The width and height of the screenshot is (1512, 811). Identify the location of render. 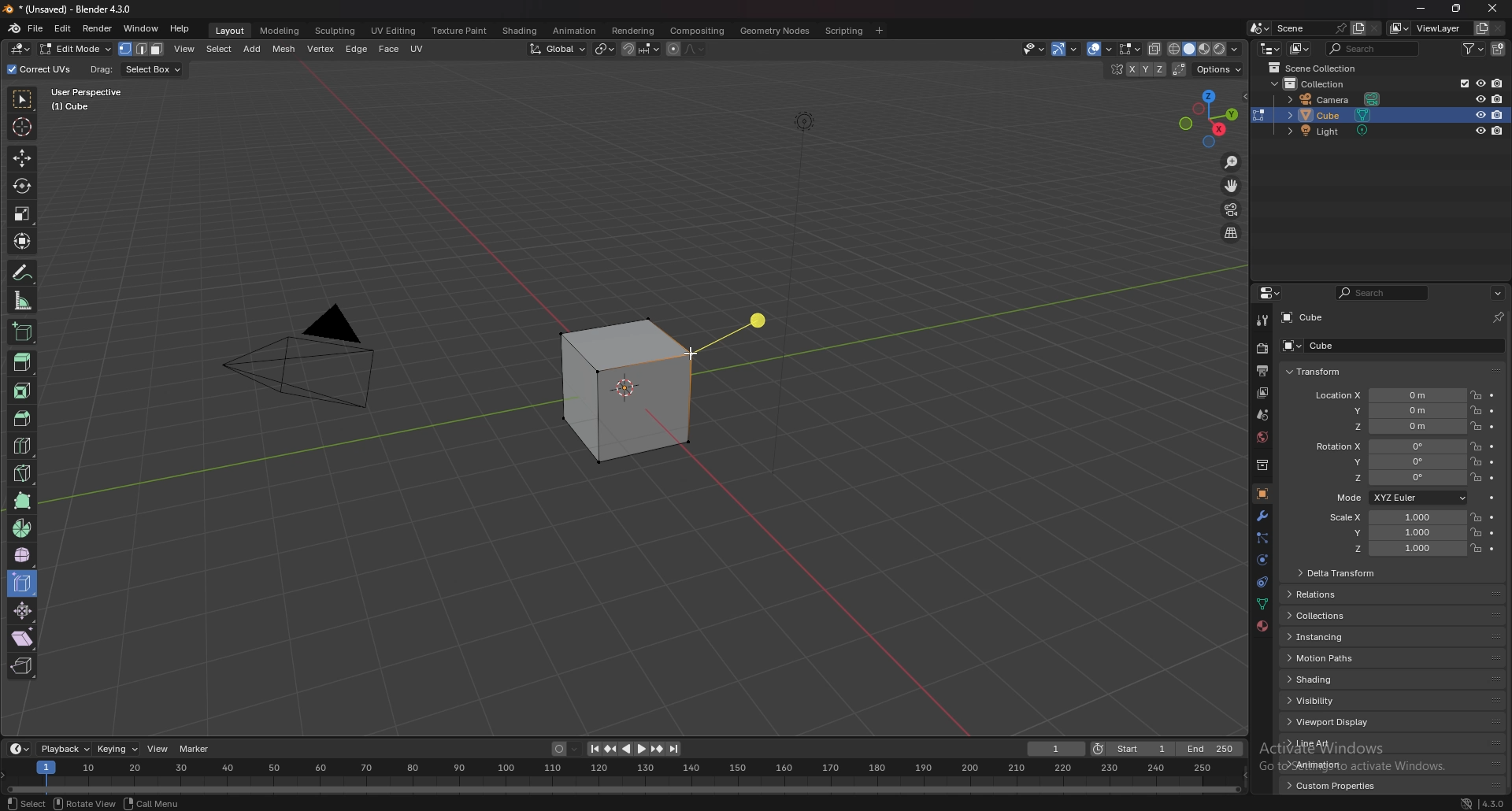
(98, 28).